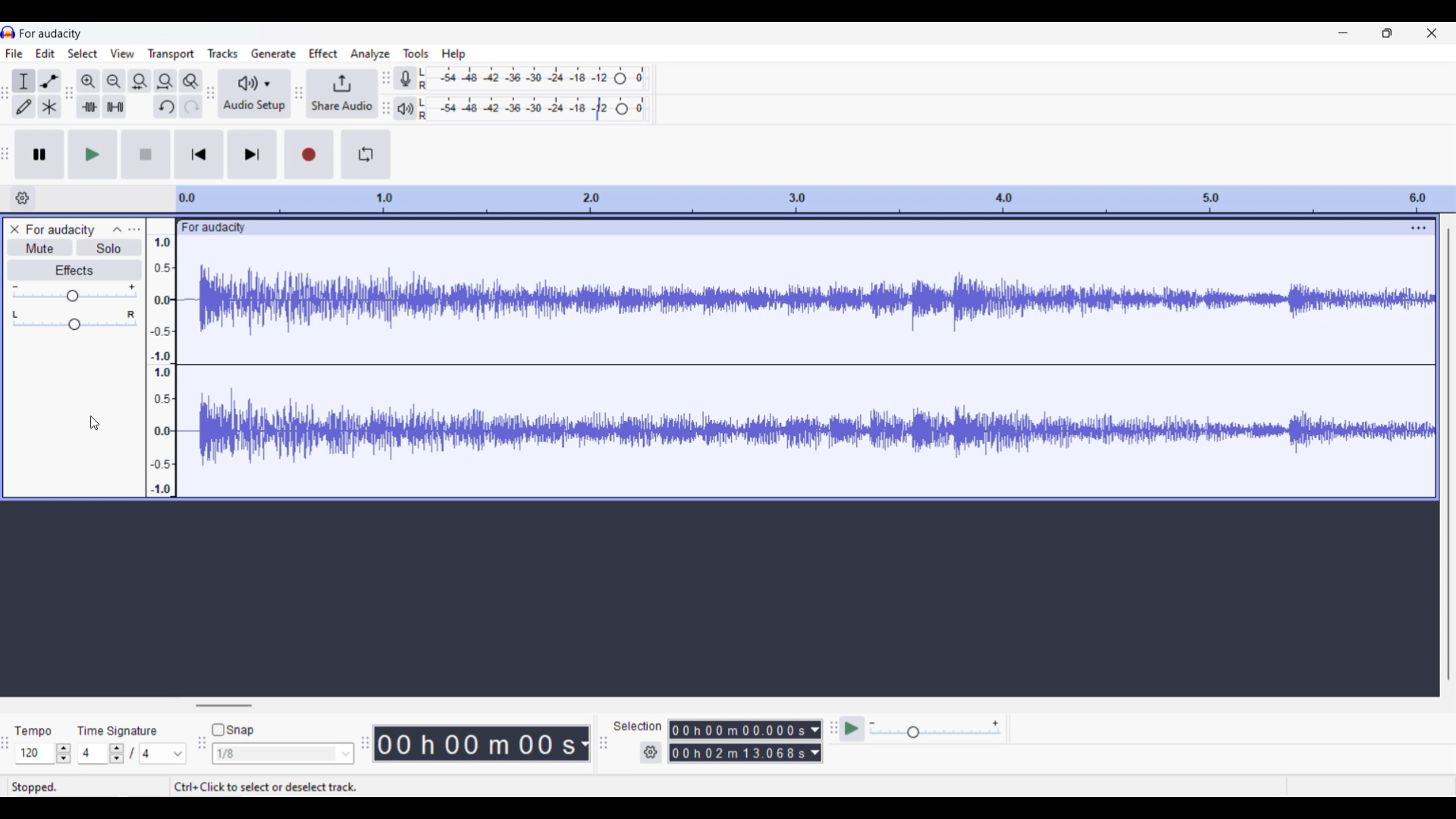 This screenshot has width=1456, height=819. I want to click on Effects, so click(56, 270).